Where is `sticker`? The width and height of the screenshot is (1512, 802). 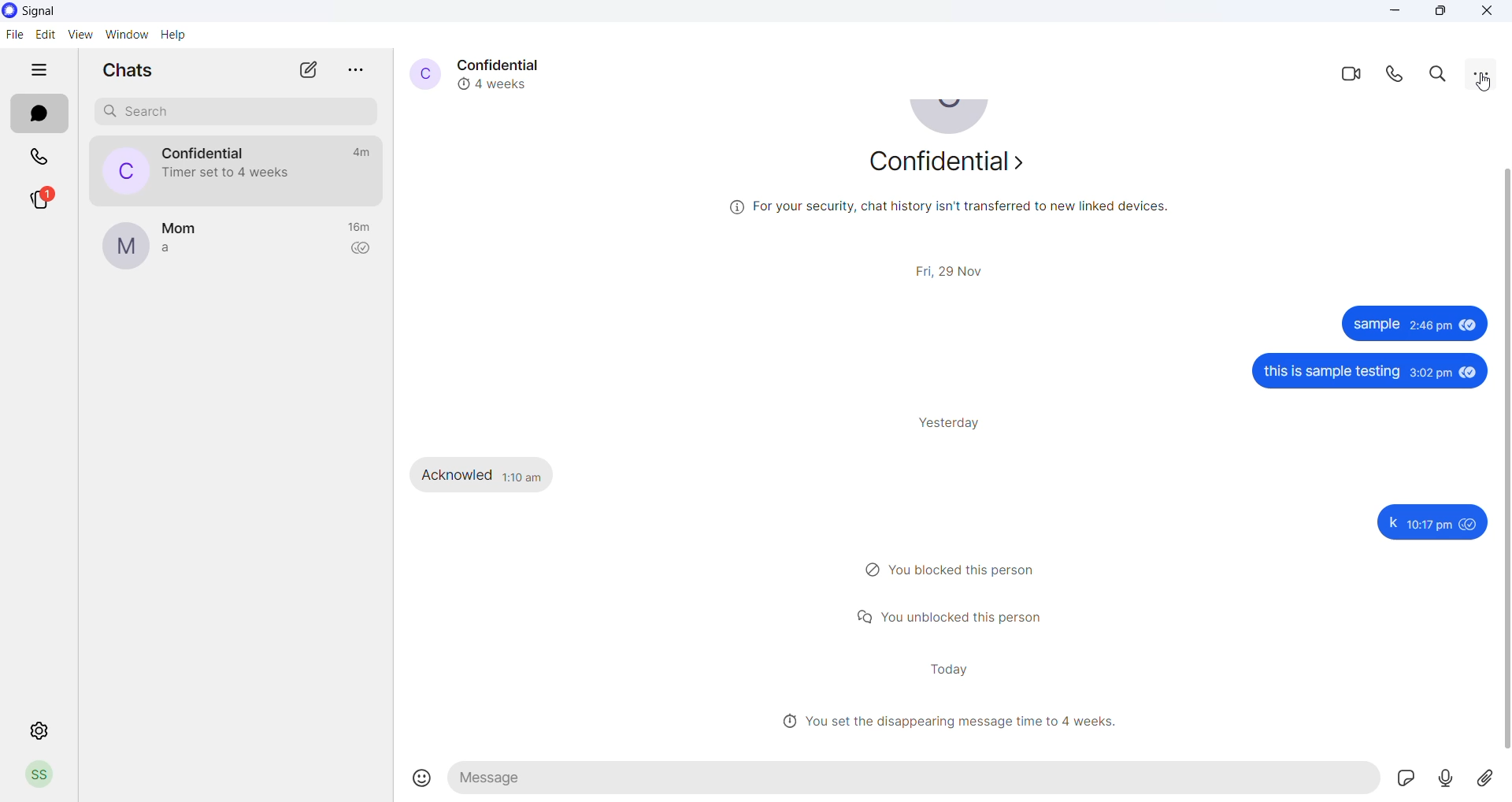
sticker is located at coordinates (1414, 779).